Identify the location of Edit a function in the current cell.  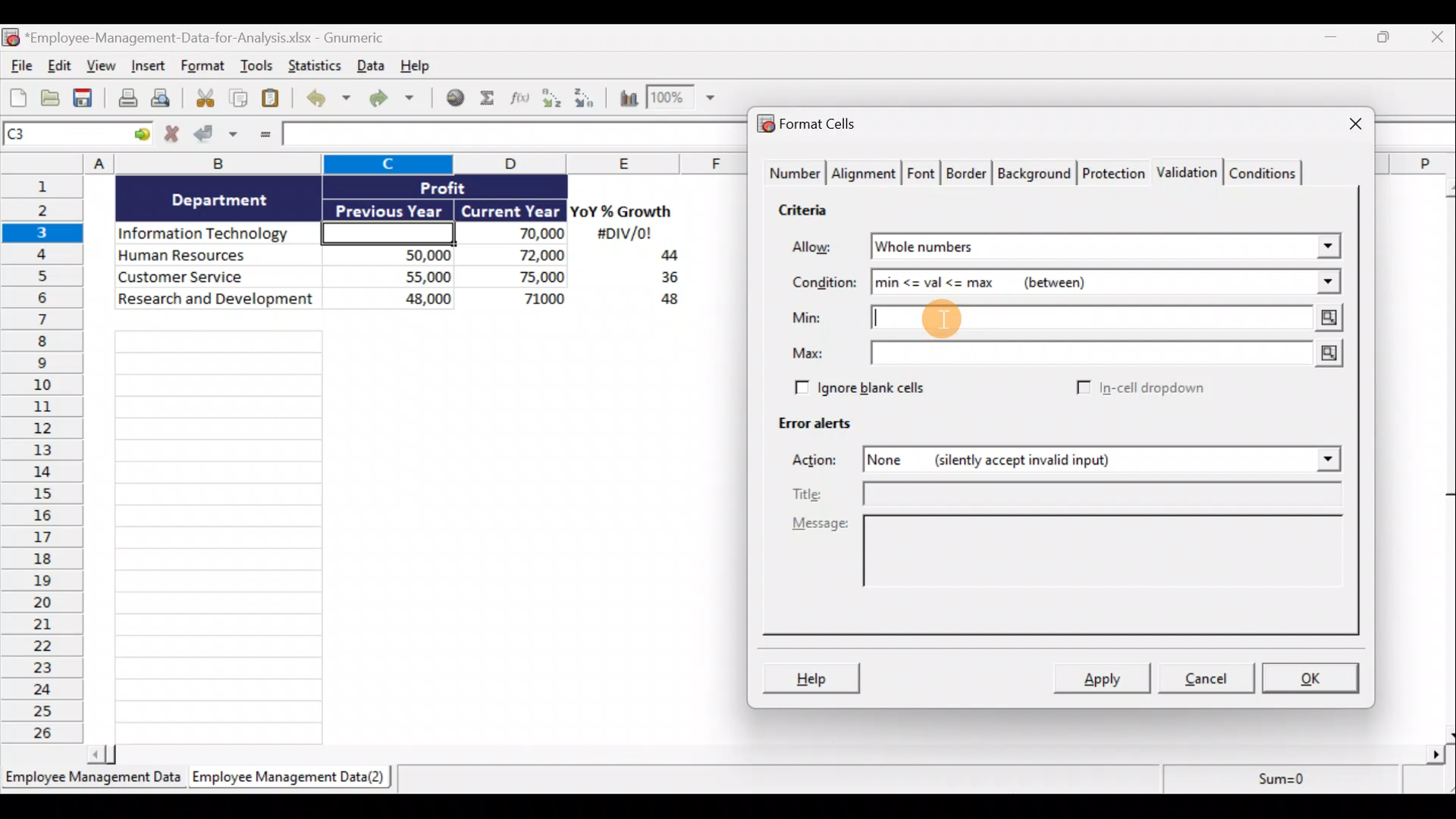
(521, 97).